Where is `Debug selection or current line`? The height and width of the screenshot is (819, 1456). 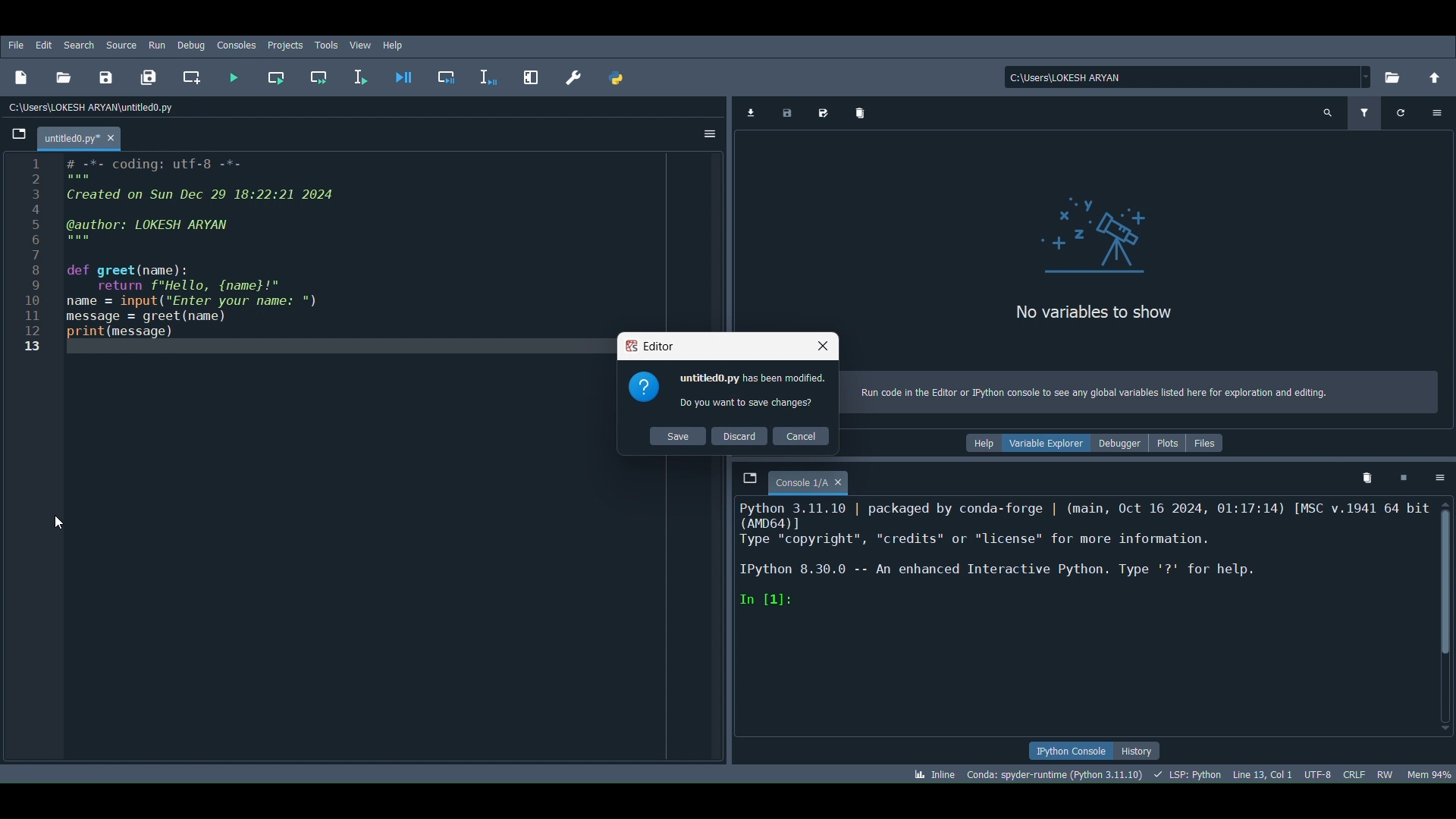 Debug selection or current line is located at coordinates (487, 74).